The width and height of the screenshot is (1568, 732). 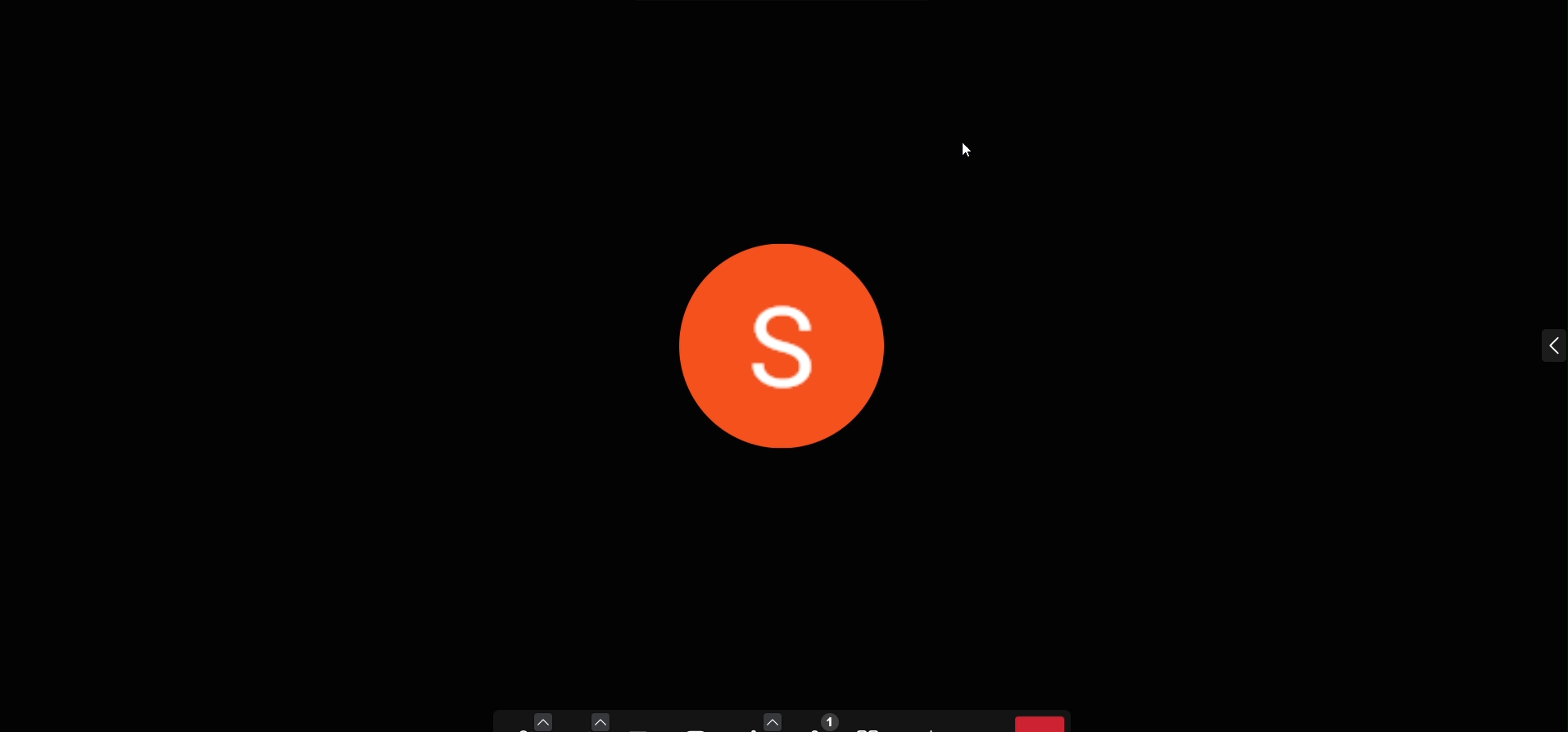 I want to click on expand, so click(x=1542, y=350).